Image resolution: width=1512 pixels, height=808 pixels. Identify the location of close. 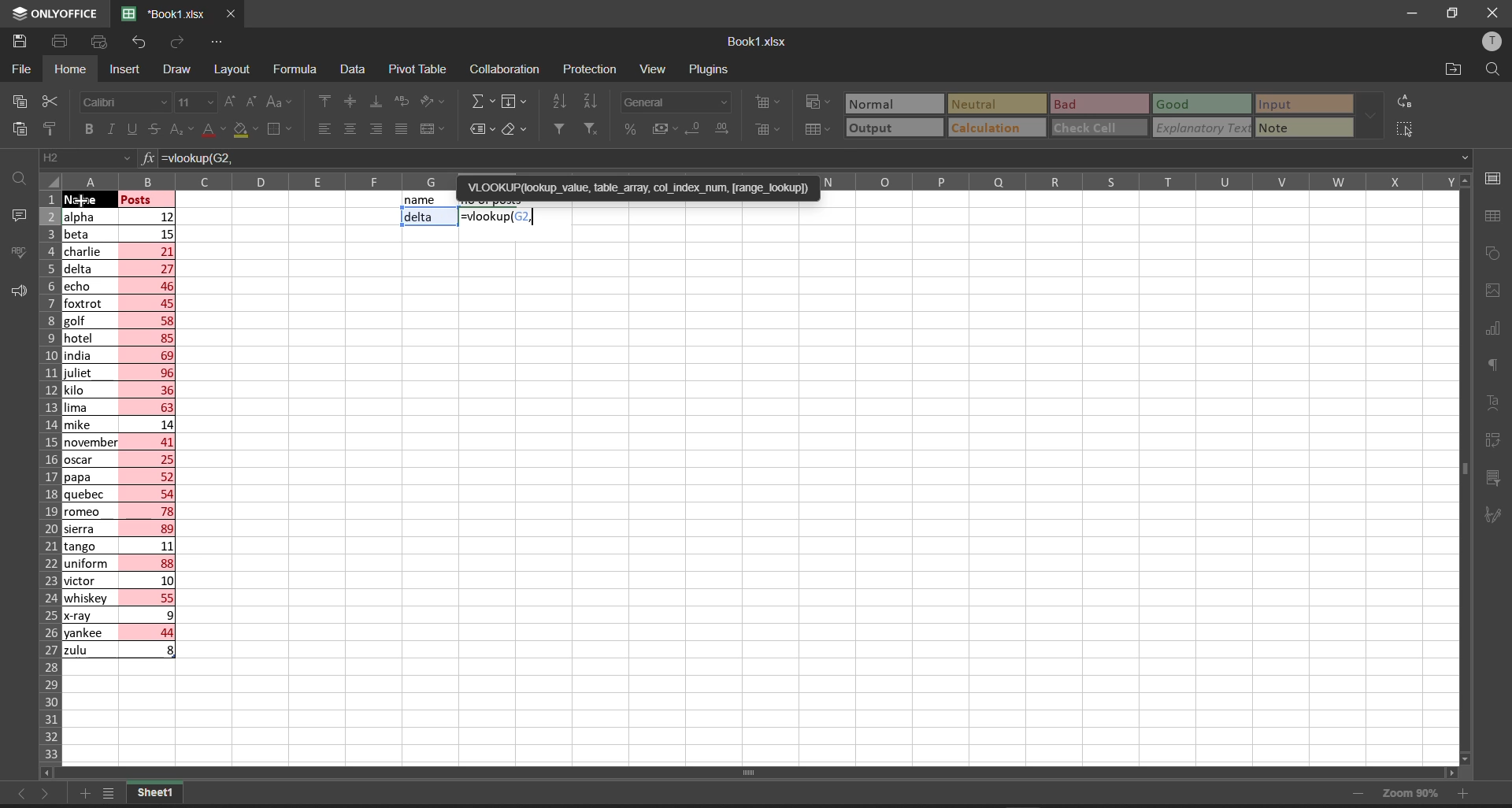
(1490, 13).